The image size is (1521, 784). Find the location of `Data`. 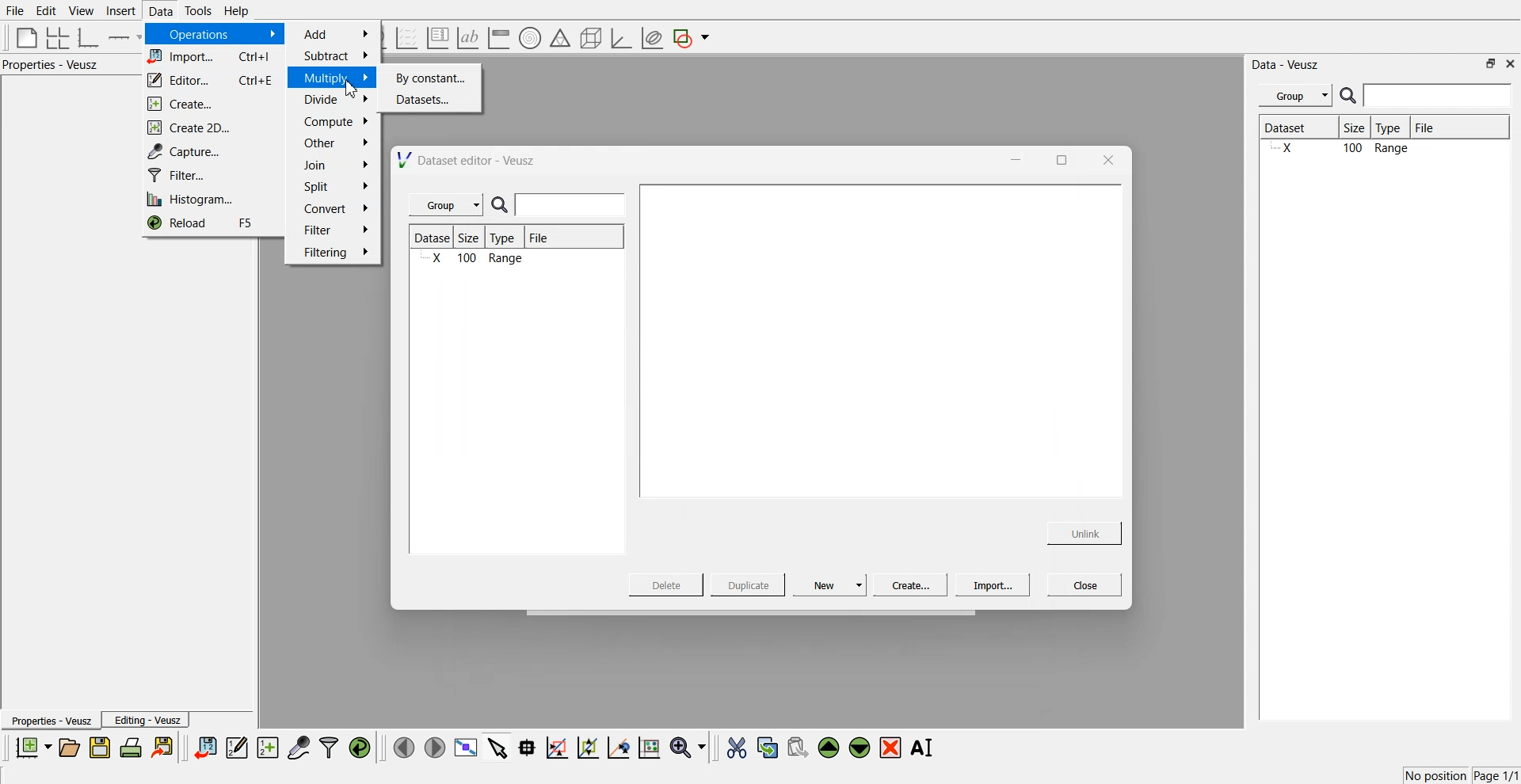

Data is located at coordinates (159, 11).